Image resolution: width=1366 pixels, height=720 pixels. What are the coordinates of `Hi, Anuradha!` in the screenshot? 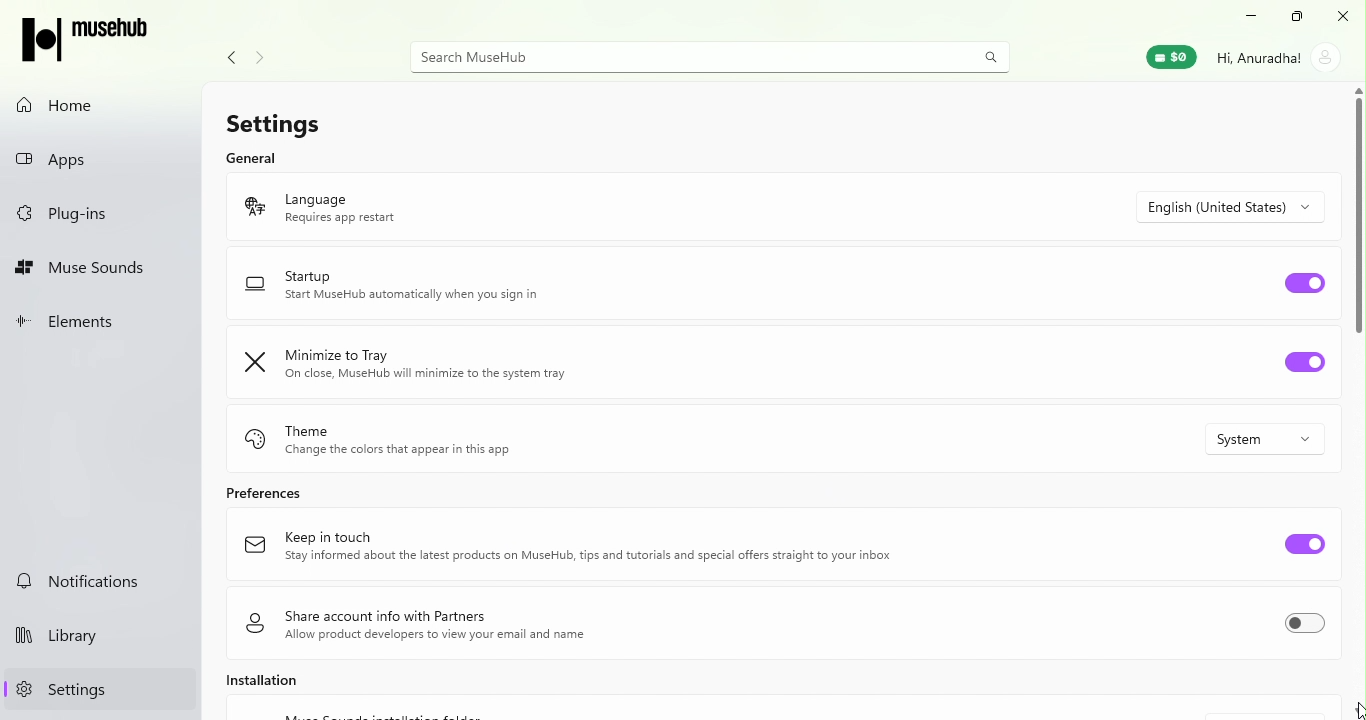 It's located at (1259, 58).